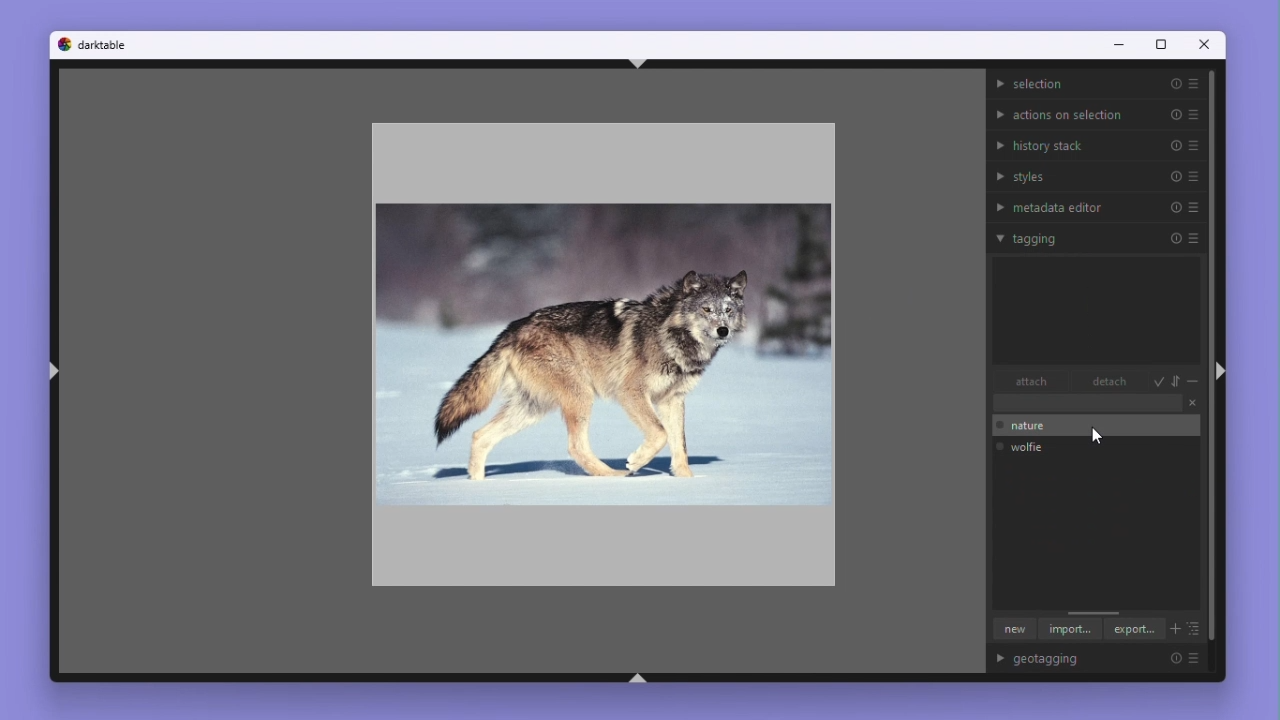  Describe the element at coordinates (1135, 629) in the screenshot. I see `Export` at that location.